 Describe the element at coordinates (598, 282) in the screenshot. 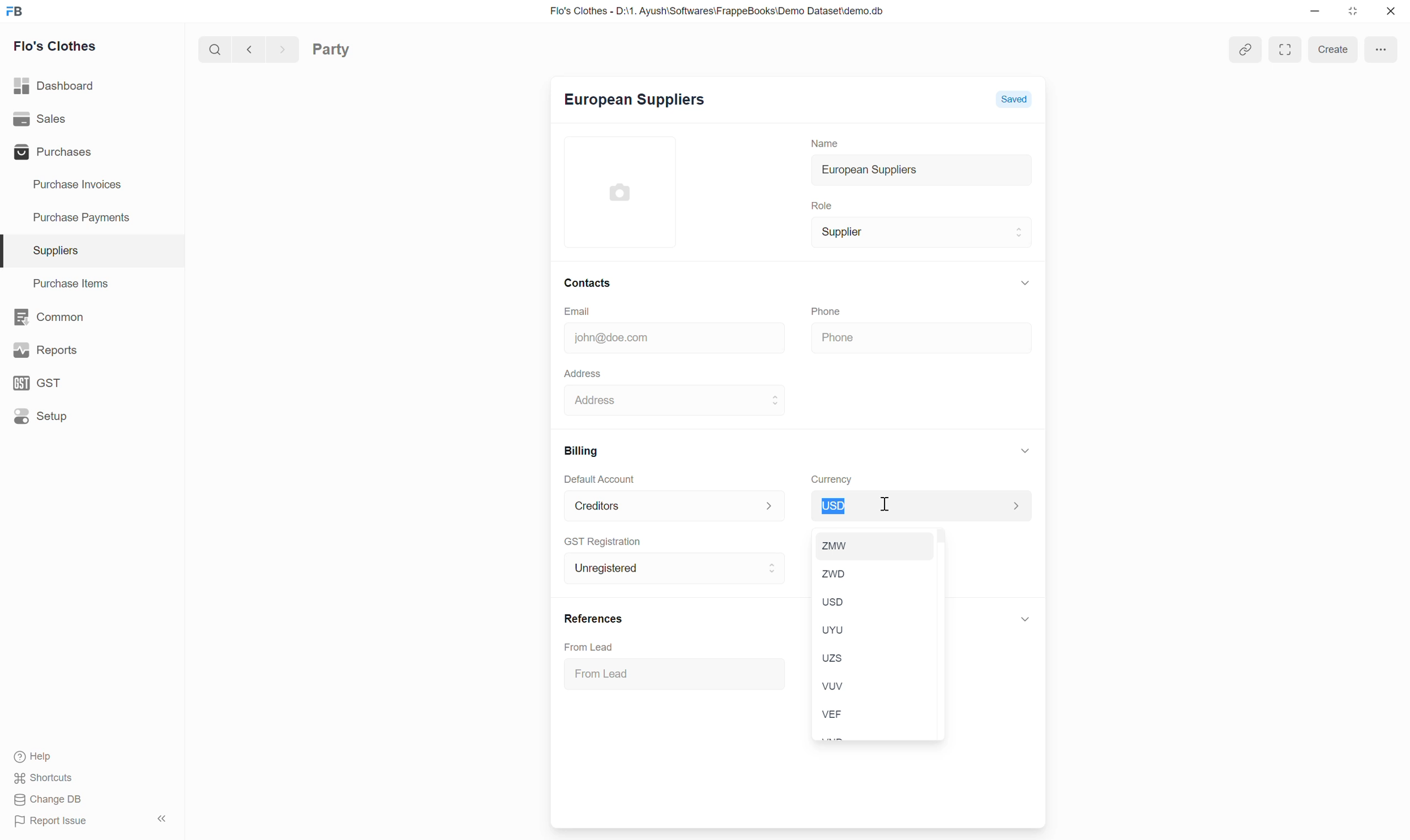

I see `Contacts` at that location.